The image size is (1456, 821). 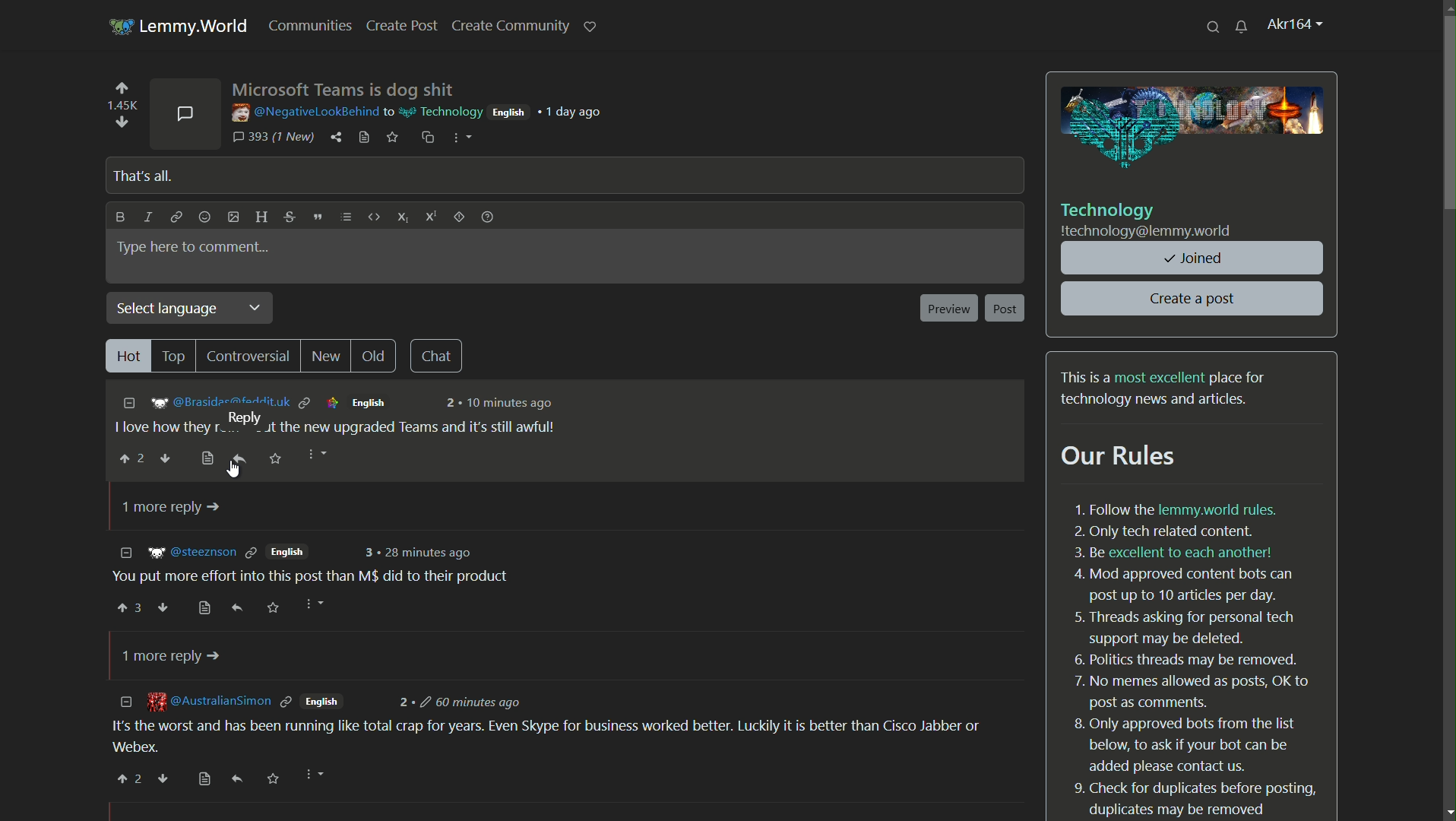 I want to click on subscript, so click(x=403, y=216).